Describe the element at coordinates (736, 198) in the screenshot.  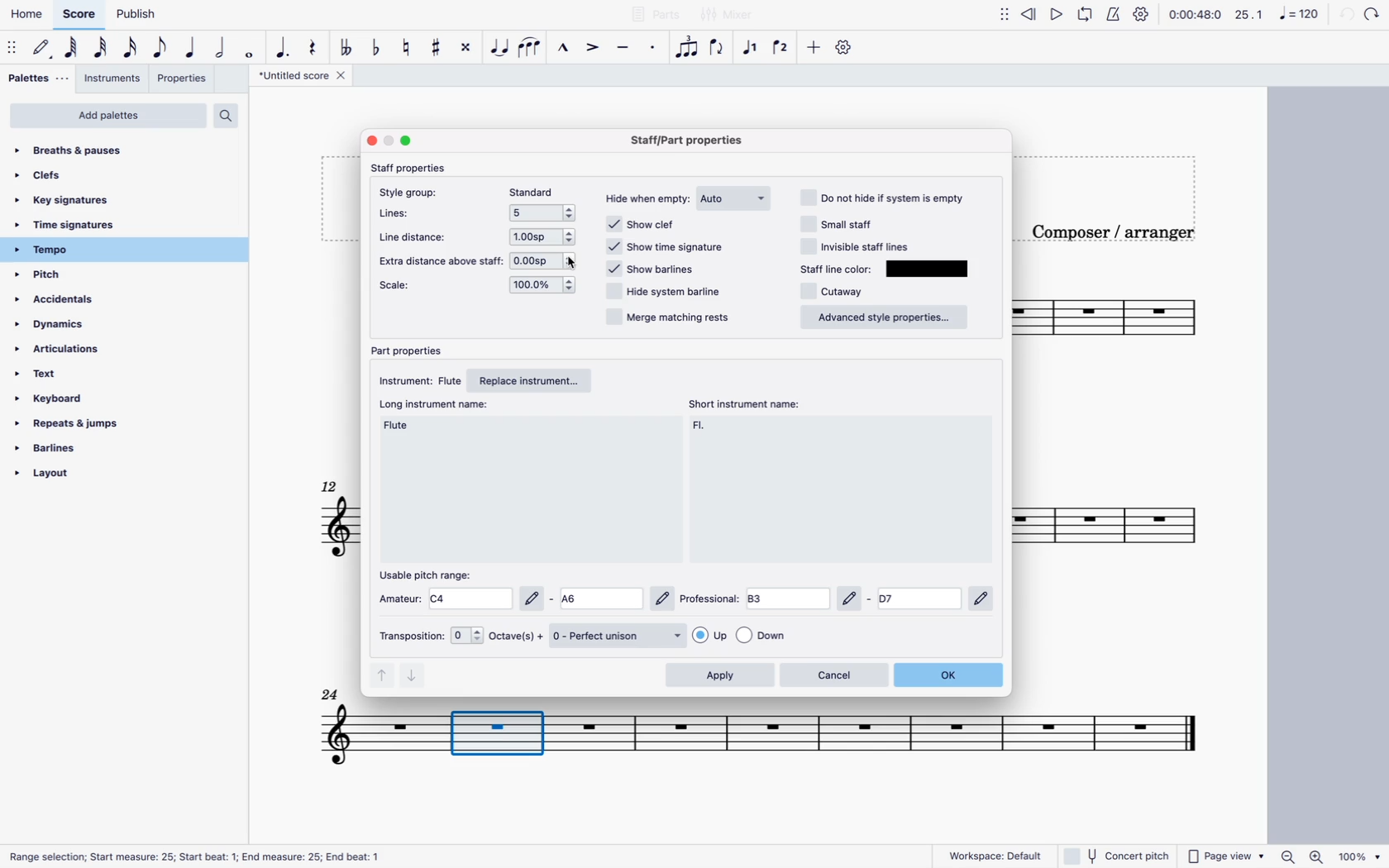
I see `auto` at that location.